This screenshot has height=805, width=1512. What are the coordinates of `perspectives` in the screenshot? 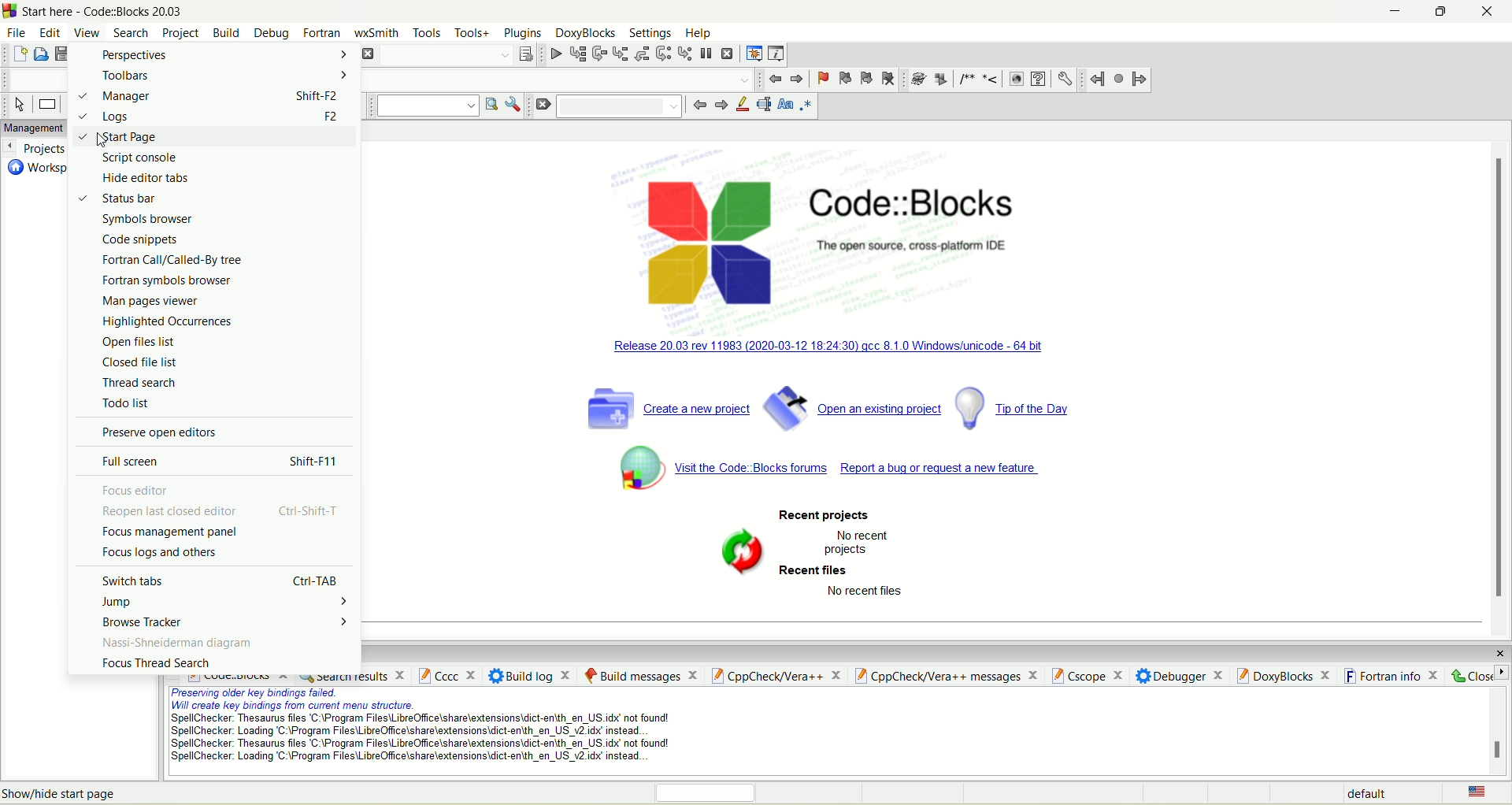 It's located at (214, 54).